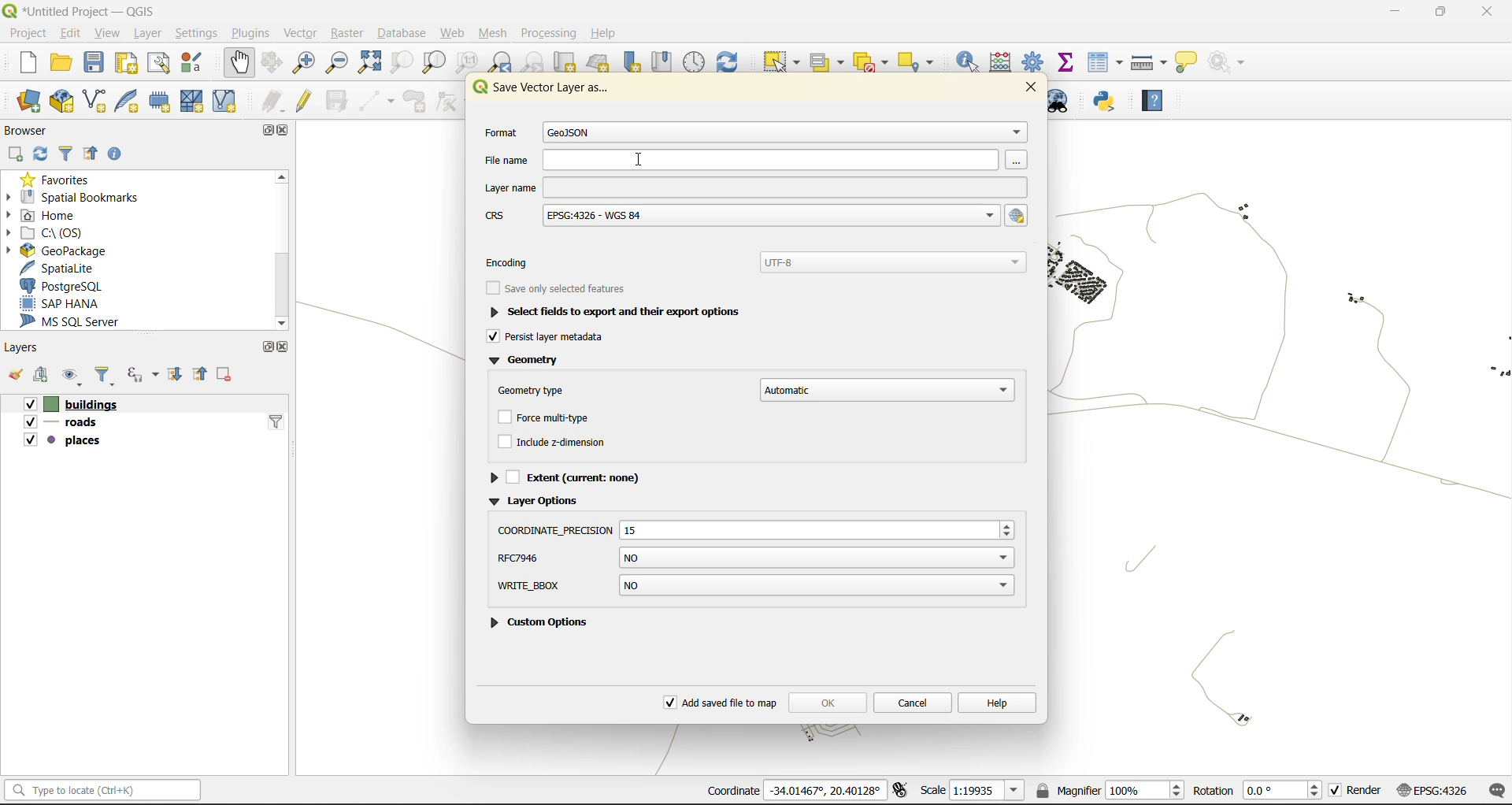 The image size is (1512, 805). What do you see at coordinates (554, 440) in the screenshot?
I see `include z dimension` at bounding box center [554, 440].